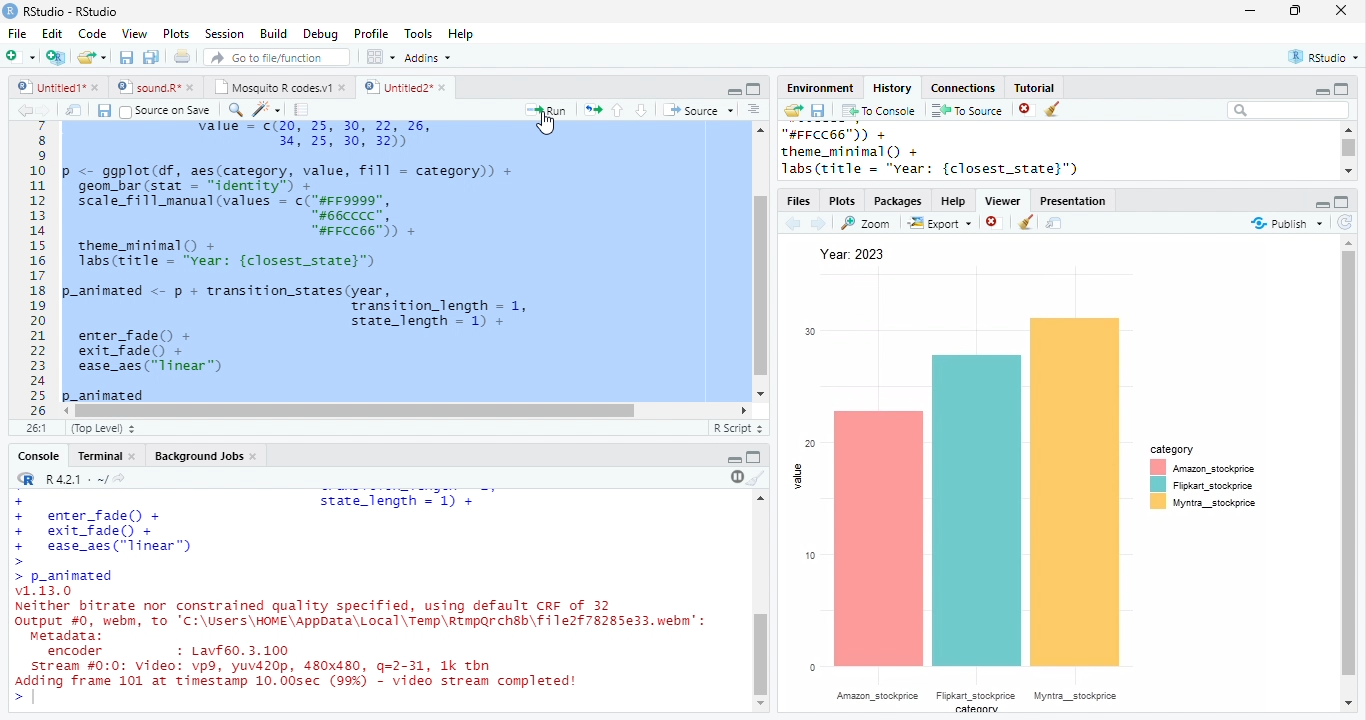 This screenshot has width=1366, height=720. Describe the element at coordinates (75, 478) in the screenshot. I see `R.4.2.1 . ~` at that location.